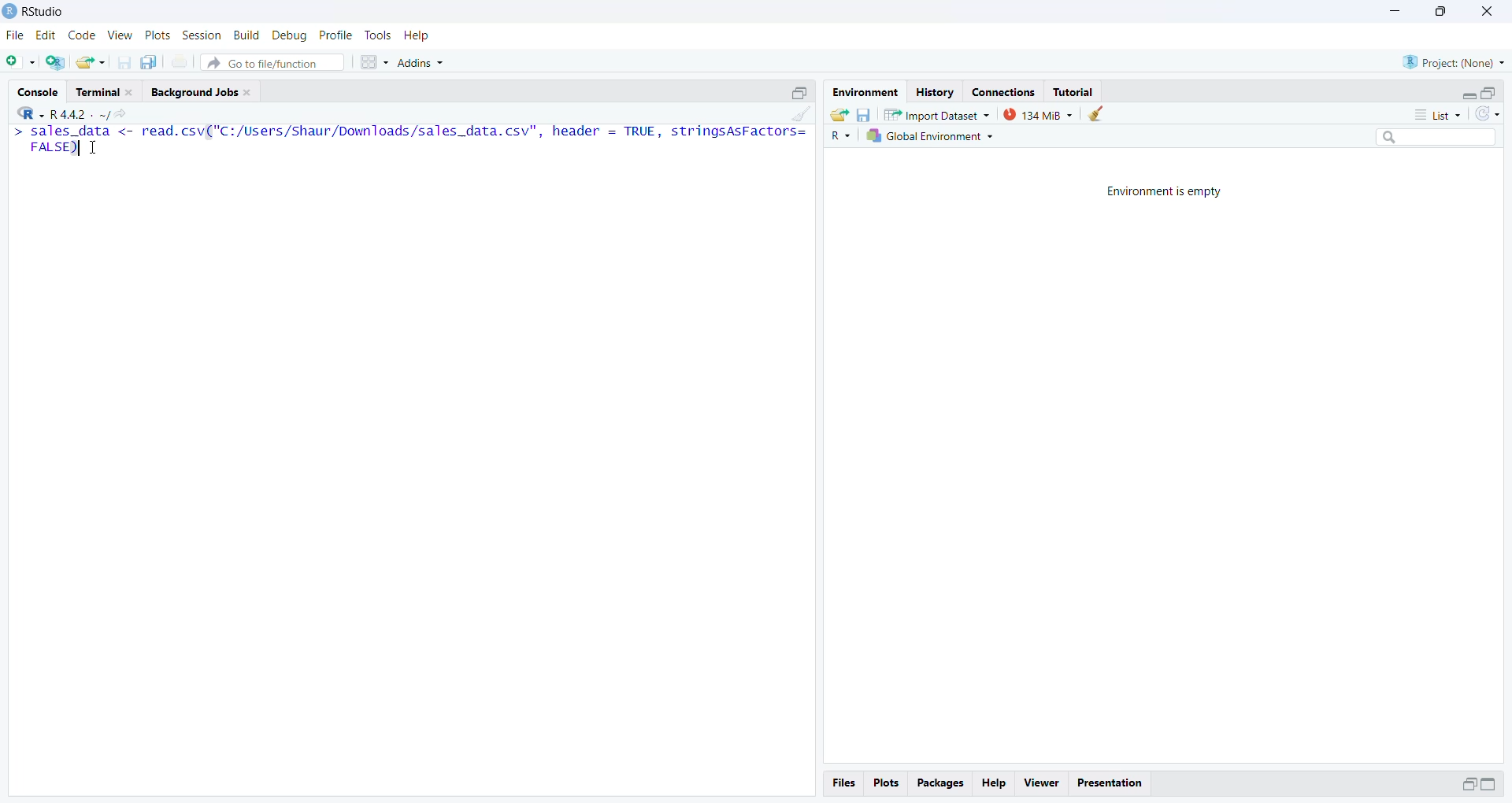  I want to click on Tutorial, so click(1072, 92).